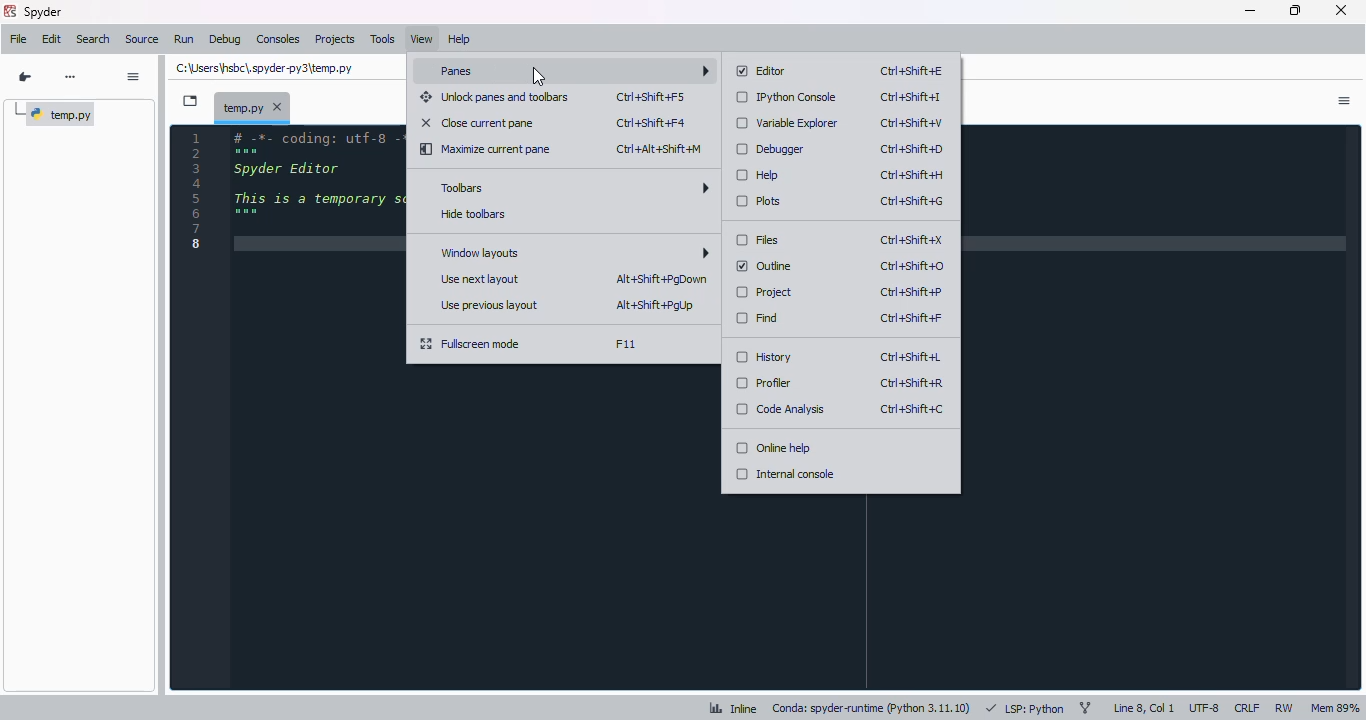 The width and height of the screenshot is (1366, 720). I want to click on profiler, so click(764, 383).